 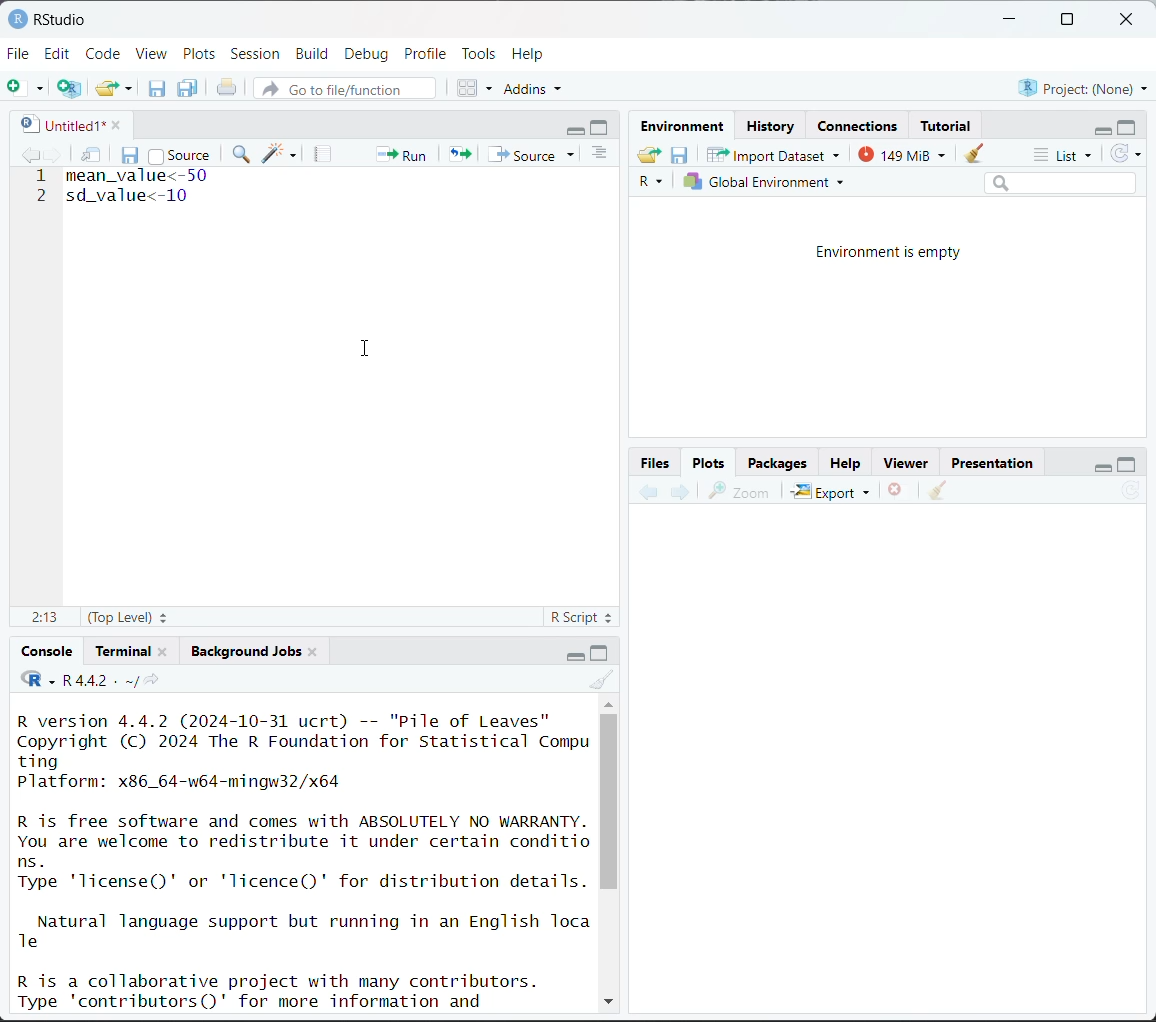 What do you see at coordinates (43, 618) in the screenshot?
I see `2:13` at bounding box center [43, 618].